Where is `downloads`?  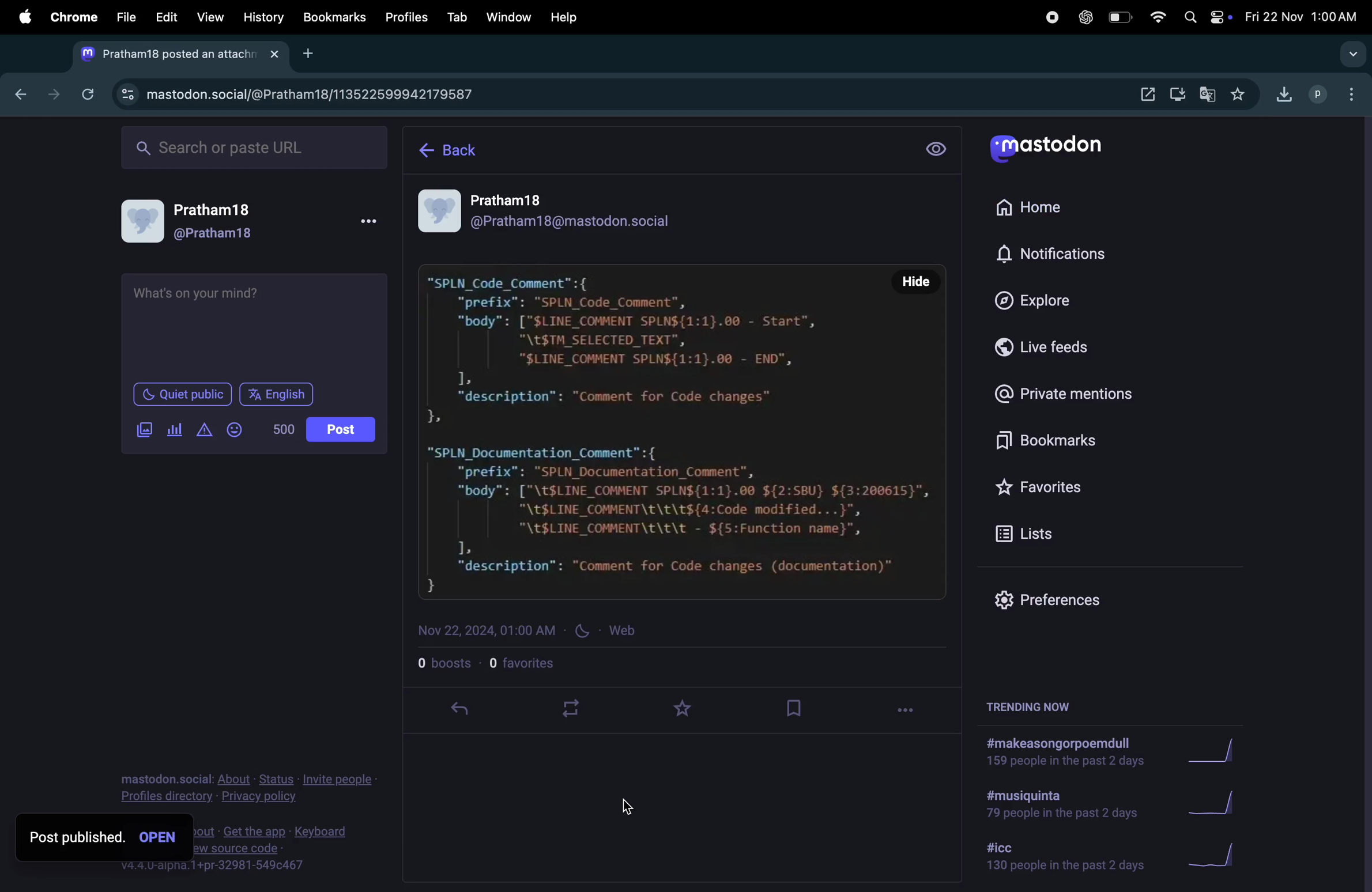
downloads is located at coordinates (1178, 96).